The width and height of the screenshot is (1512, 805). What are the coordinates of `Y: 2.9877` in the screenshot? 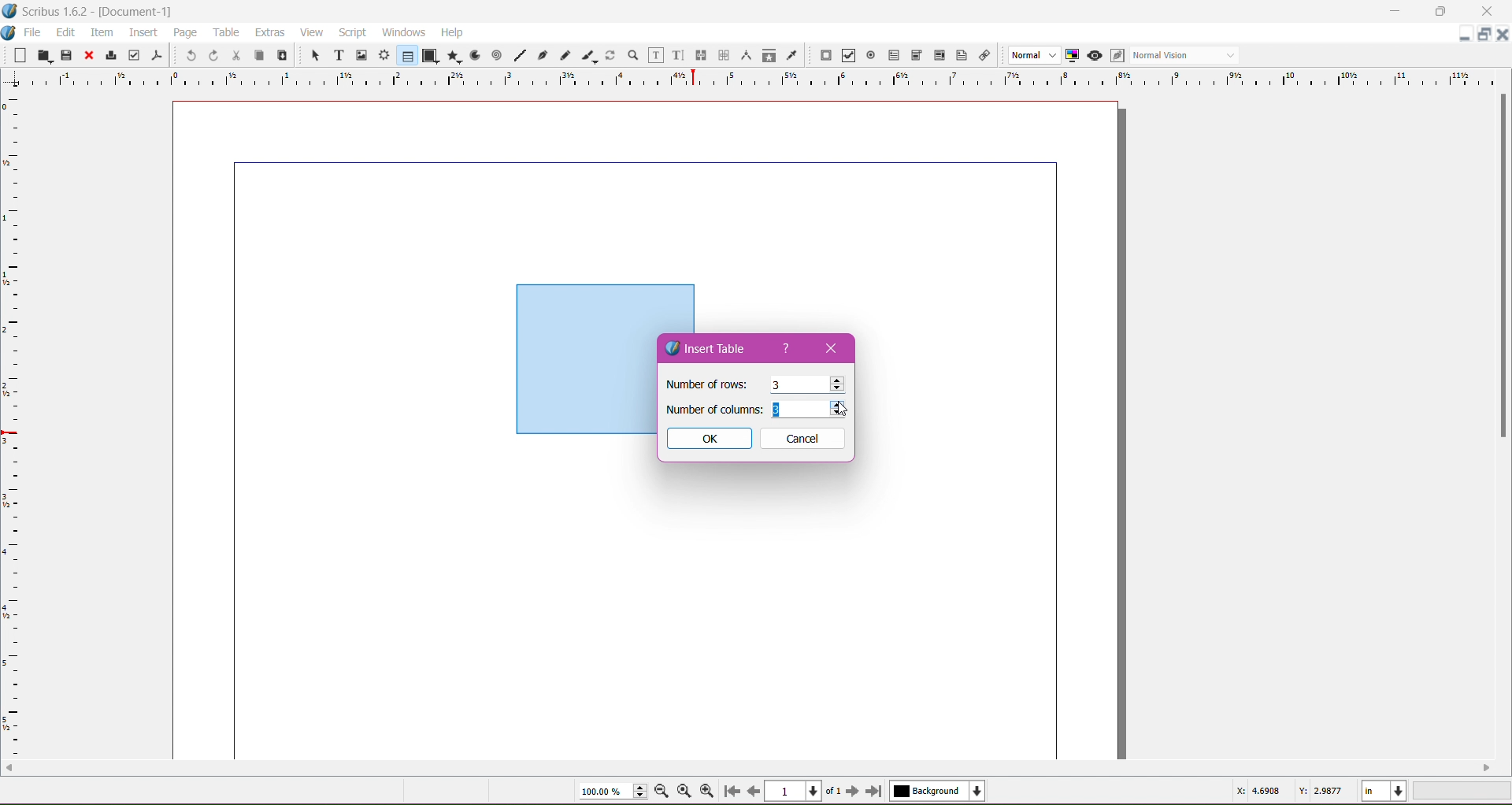 It's located at (1320, 789).